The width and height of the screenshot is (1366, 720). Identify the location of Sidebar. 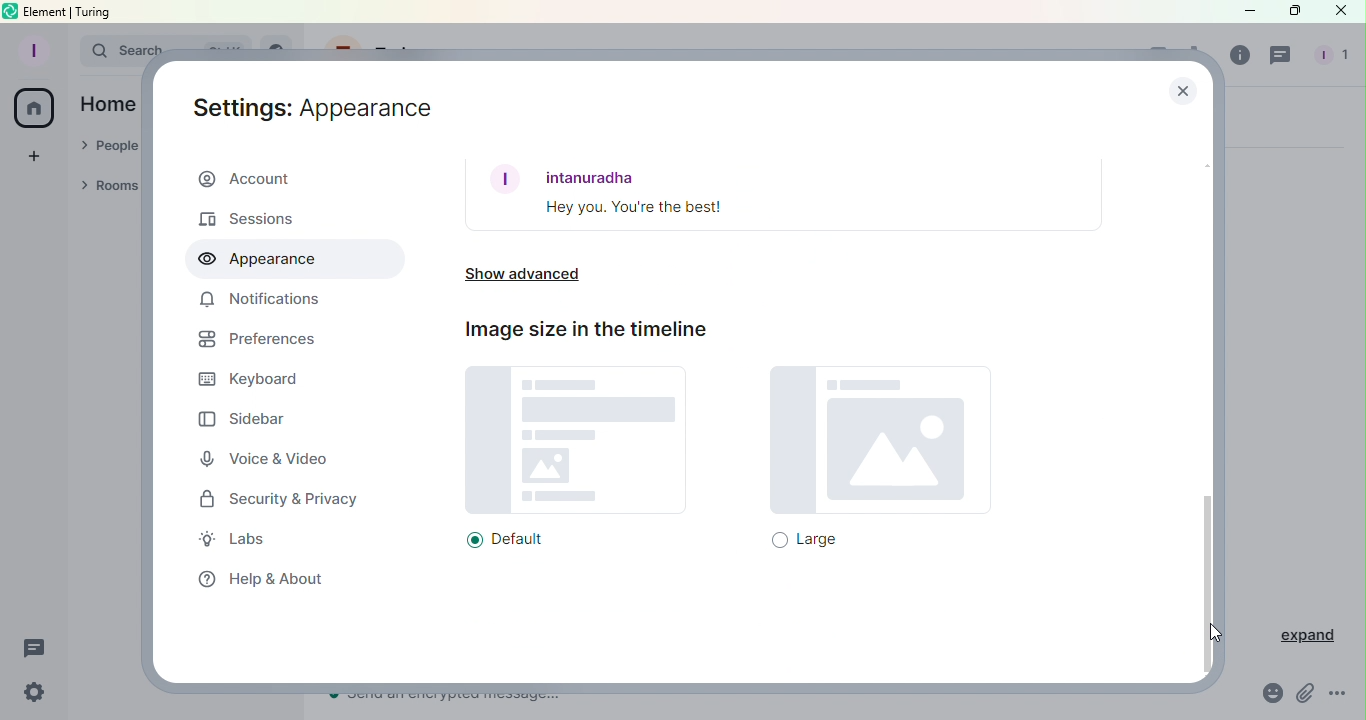
(242, 418).